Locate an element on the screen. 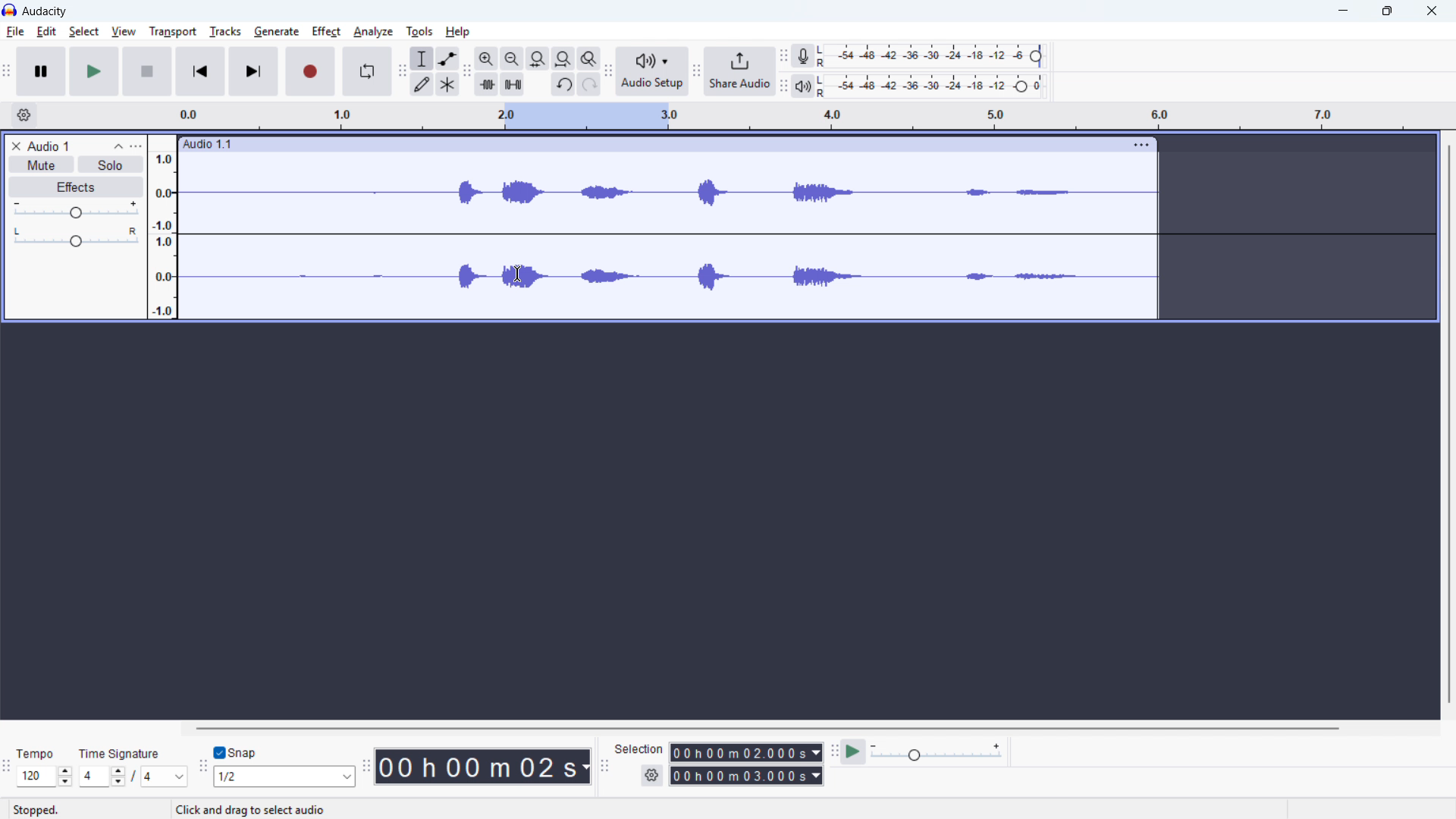 Image resolution: width=1456 pixels, height=819 pixels. playback speed is located at coordinates (937, 752).